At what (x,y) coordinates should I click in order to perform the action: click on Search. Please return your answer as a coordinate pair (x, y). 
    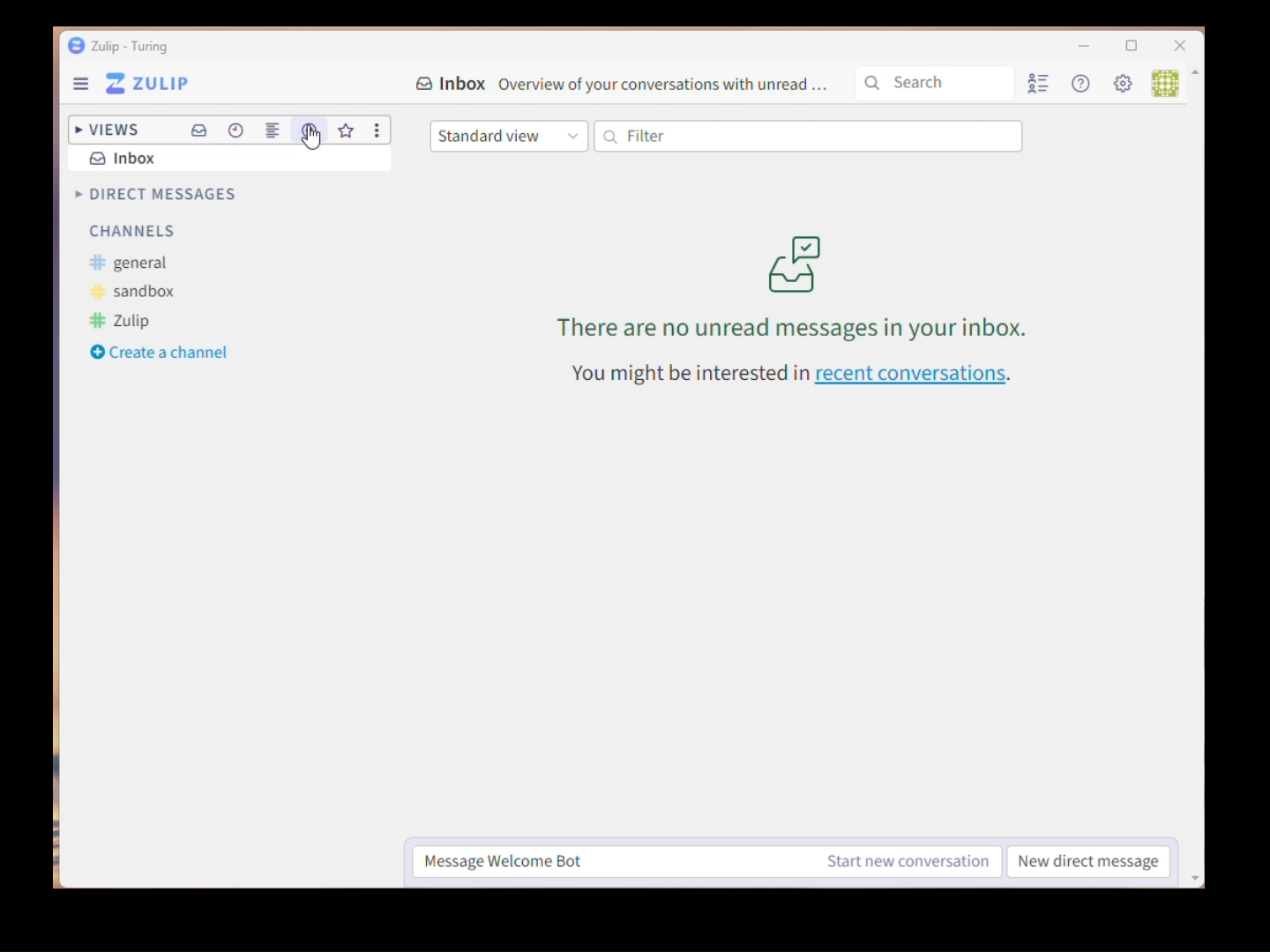
    Looking at the image, I should click on (938, 83).